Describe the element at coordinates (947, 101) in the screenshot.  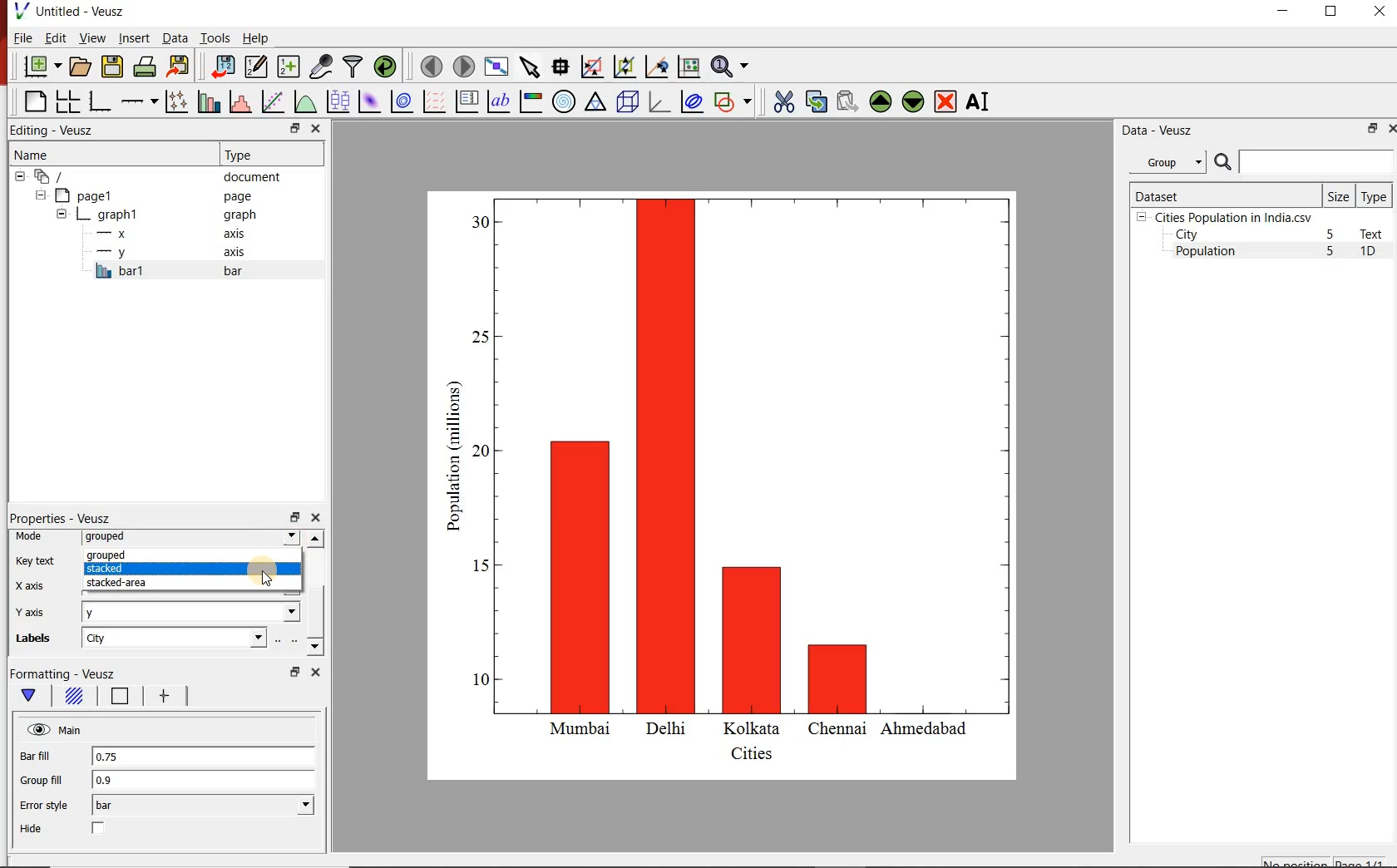
I see `remove the selected widgets` at that location.